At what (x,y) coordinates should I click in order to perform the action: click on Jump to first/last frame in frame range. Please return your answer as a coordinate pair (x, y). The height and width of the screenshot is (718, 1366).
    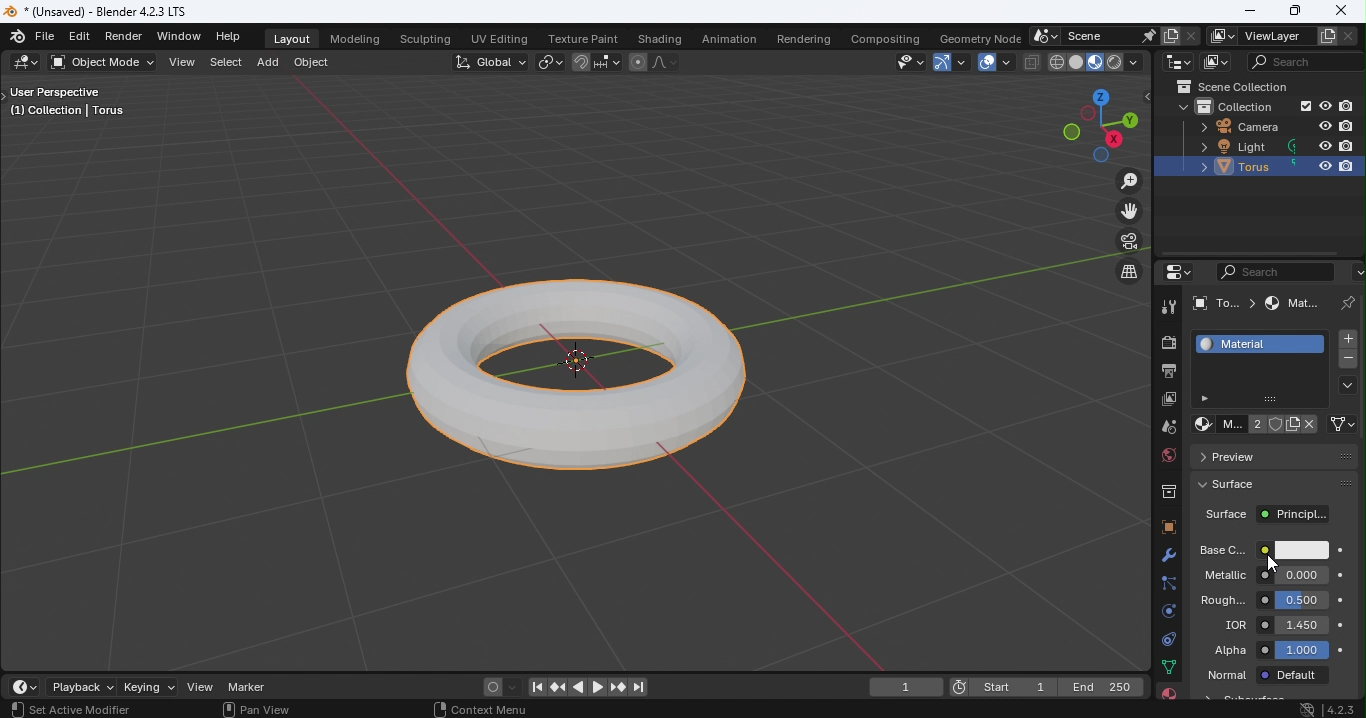
    Looking at the image, I should click on (532, 689).